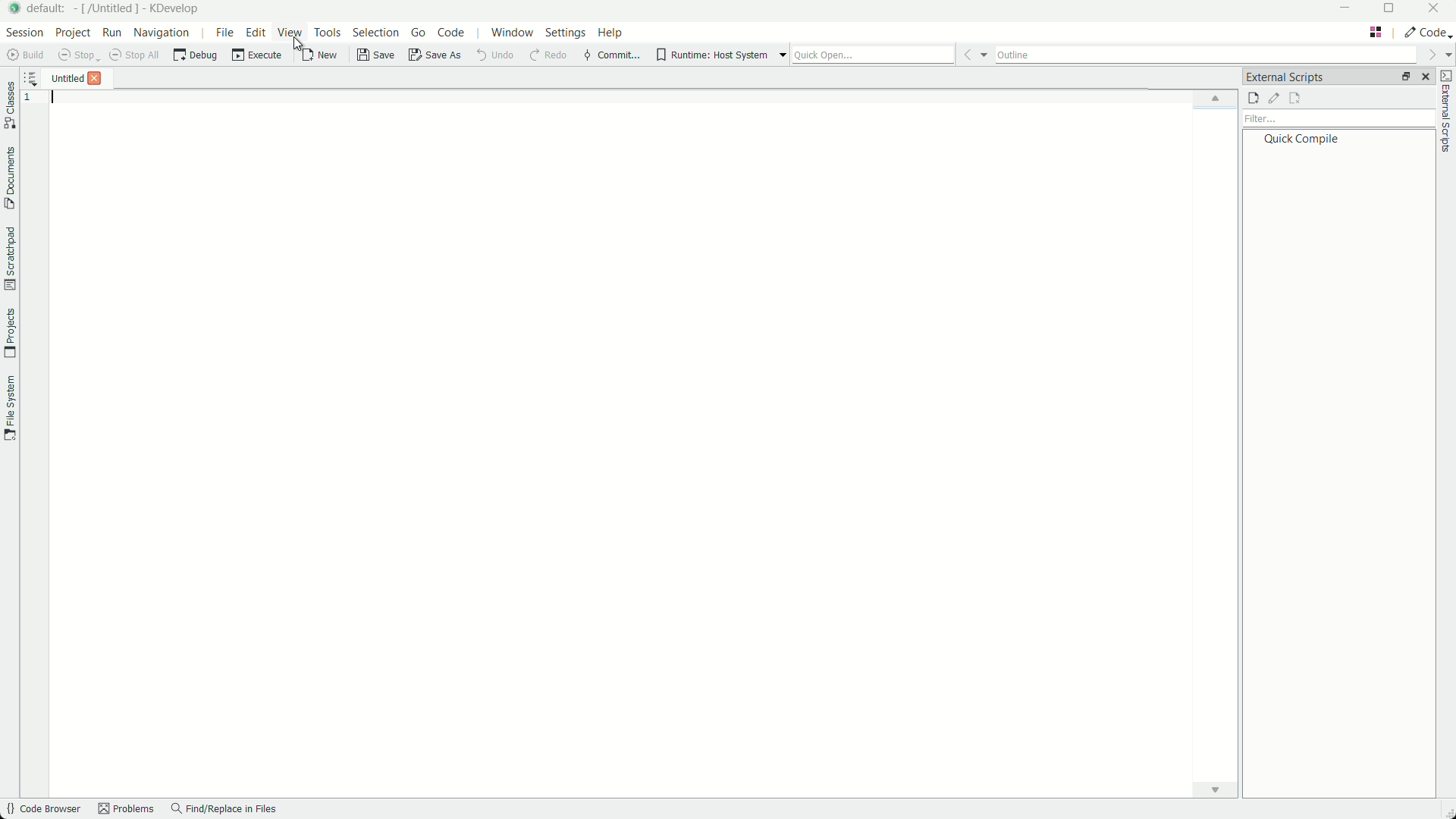  What do you see at coordinates (452, 35) in the screenshot?
I see `code` at bounding box center [452, 35].